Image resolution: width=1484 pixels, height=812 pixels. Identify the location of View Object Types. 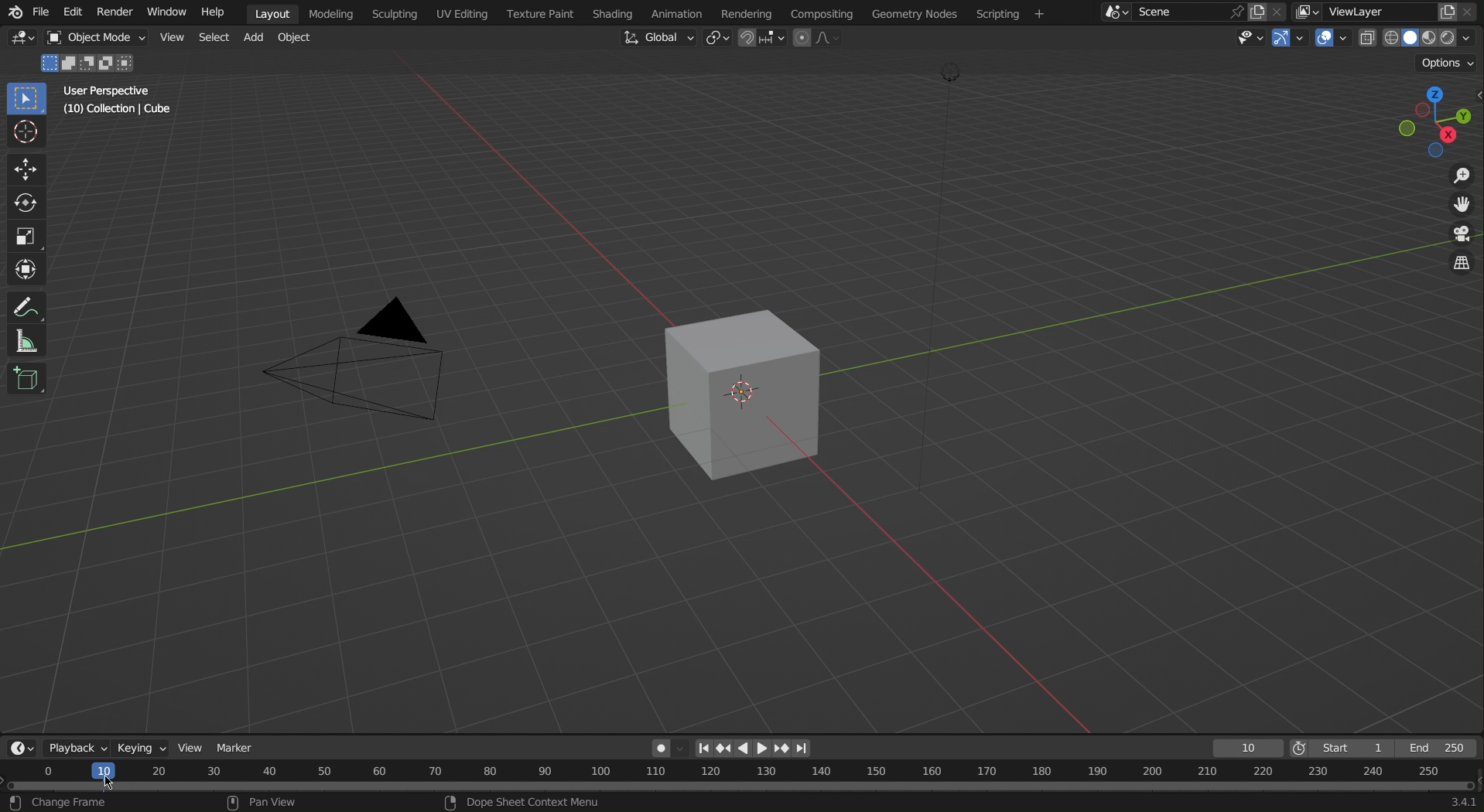
(1250, 37).